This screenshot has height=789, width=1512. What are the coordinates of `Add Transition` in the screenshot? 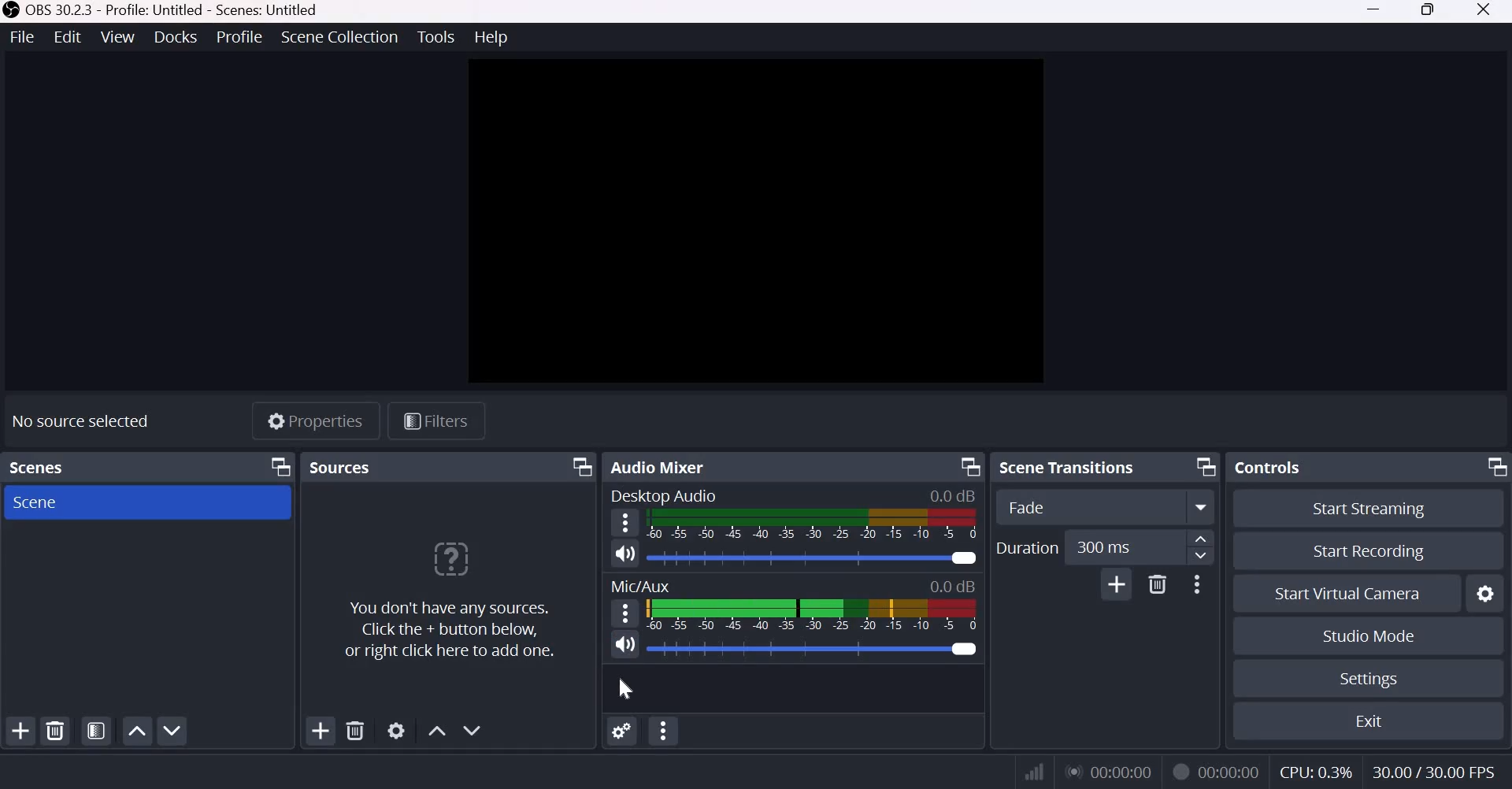 It's located at (1117, 585).